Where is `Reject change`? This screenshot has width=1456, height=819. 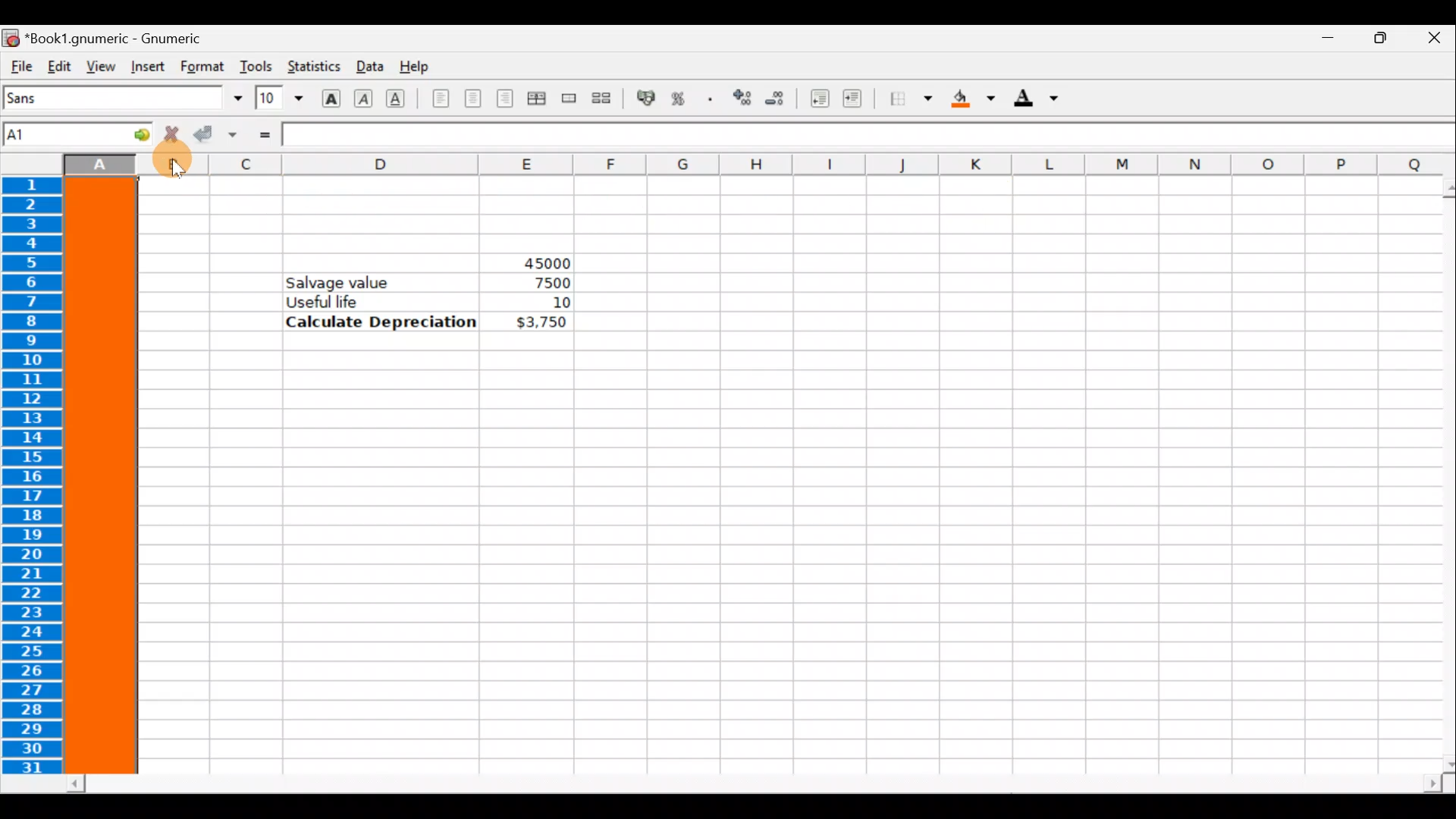 Reject change is located at coordinates (167, 135).